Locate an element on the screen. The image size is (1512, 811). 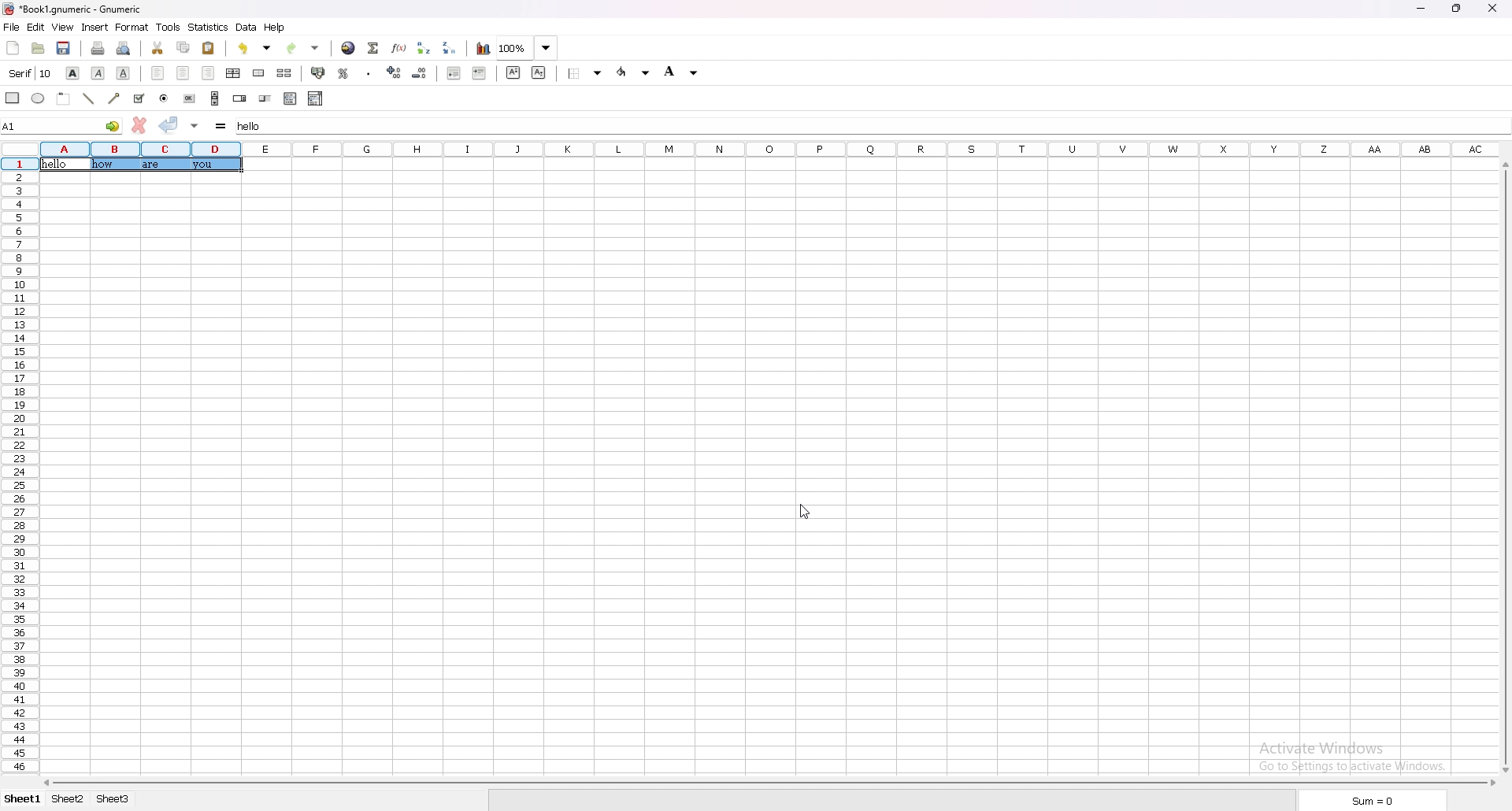
italic is located at coordinates (98, 72).